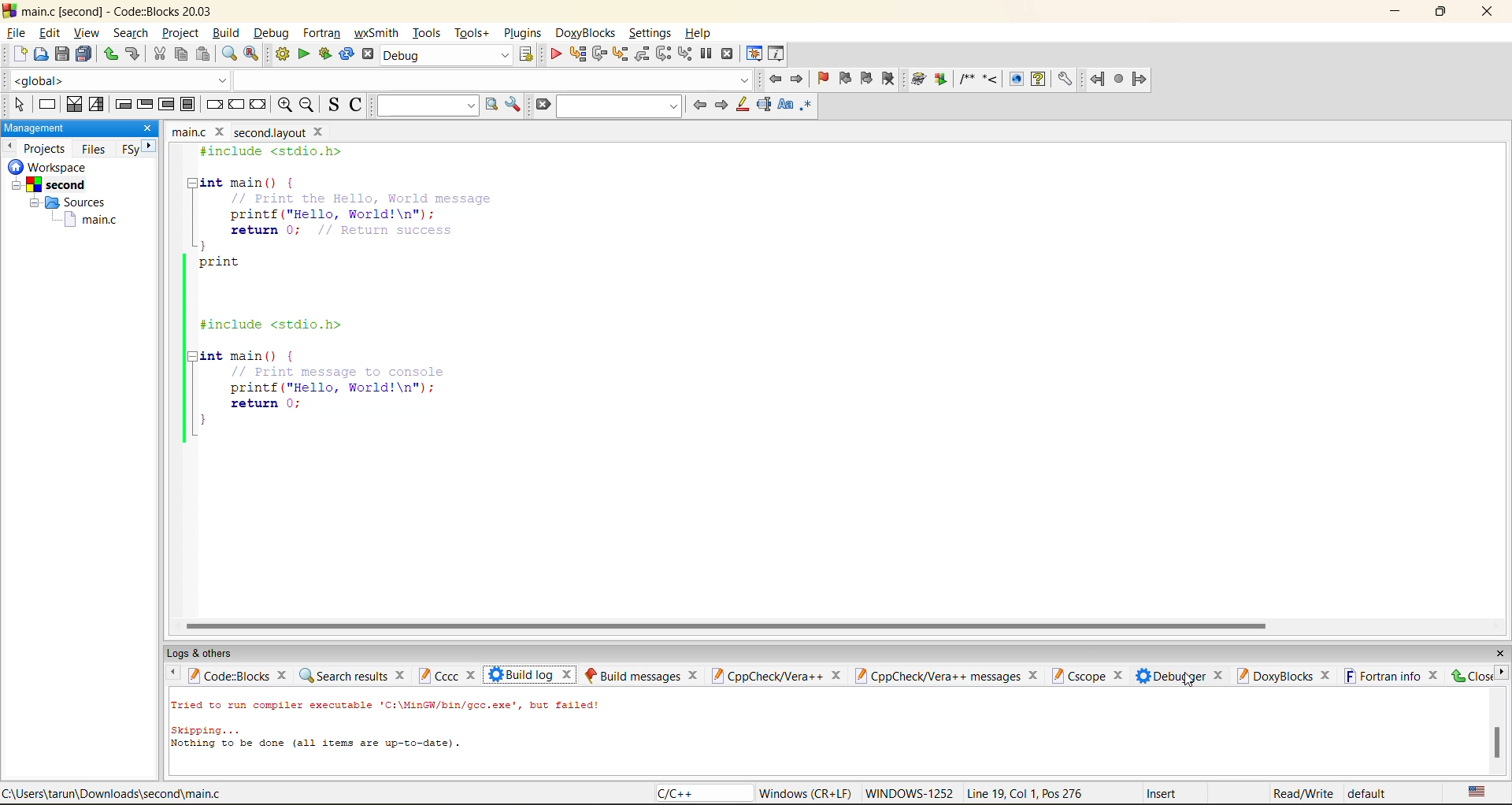 This screenshot has width=1512, height=805. I want to click on fortran info, so click(1394, 677).